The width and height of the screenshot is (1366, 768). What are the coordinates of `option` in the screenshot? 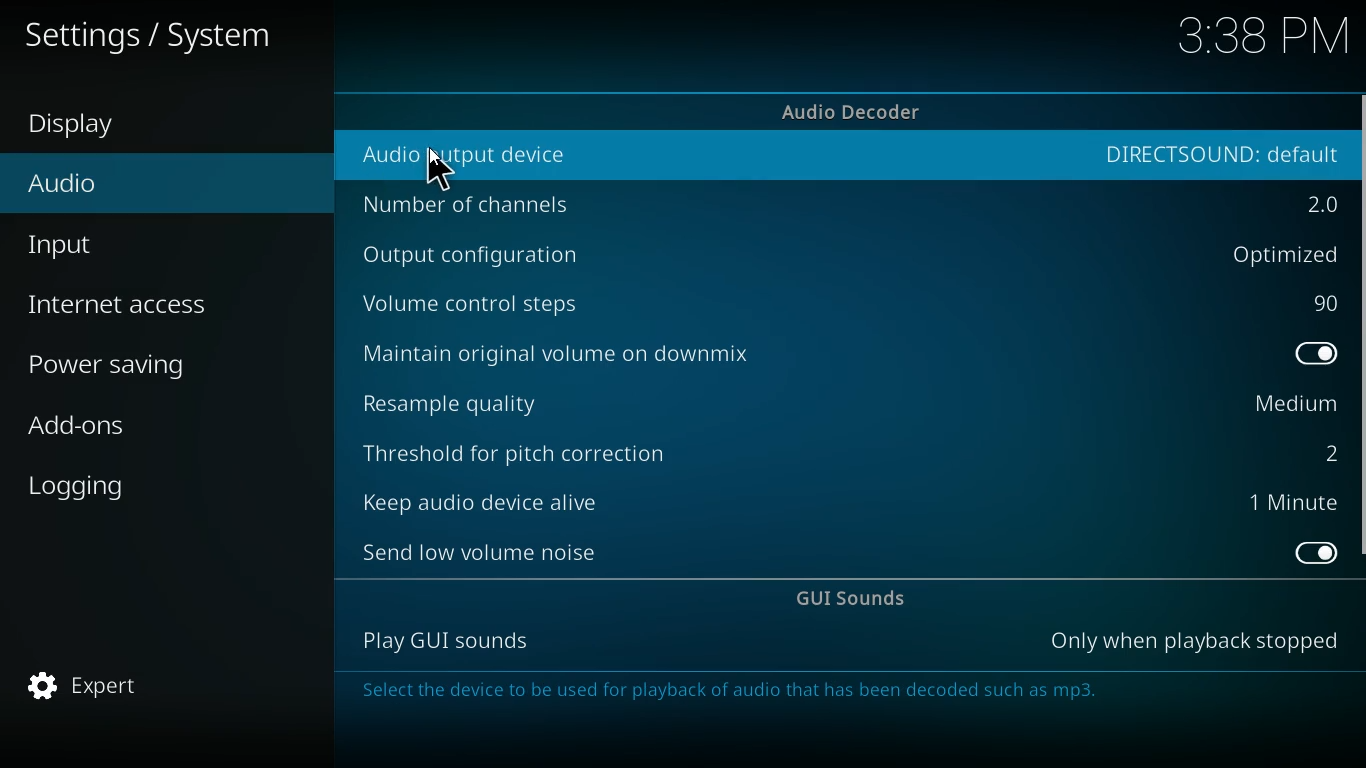 It's located at (1323, 356).